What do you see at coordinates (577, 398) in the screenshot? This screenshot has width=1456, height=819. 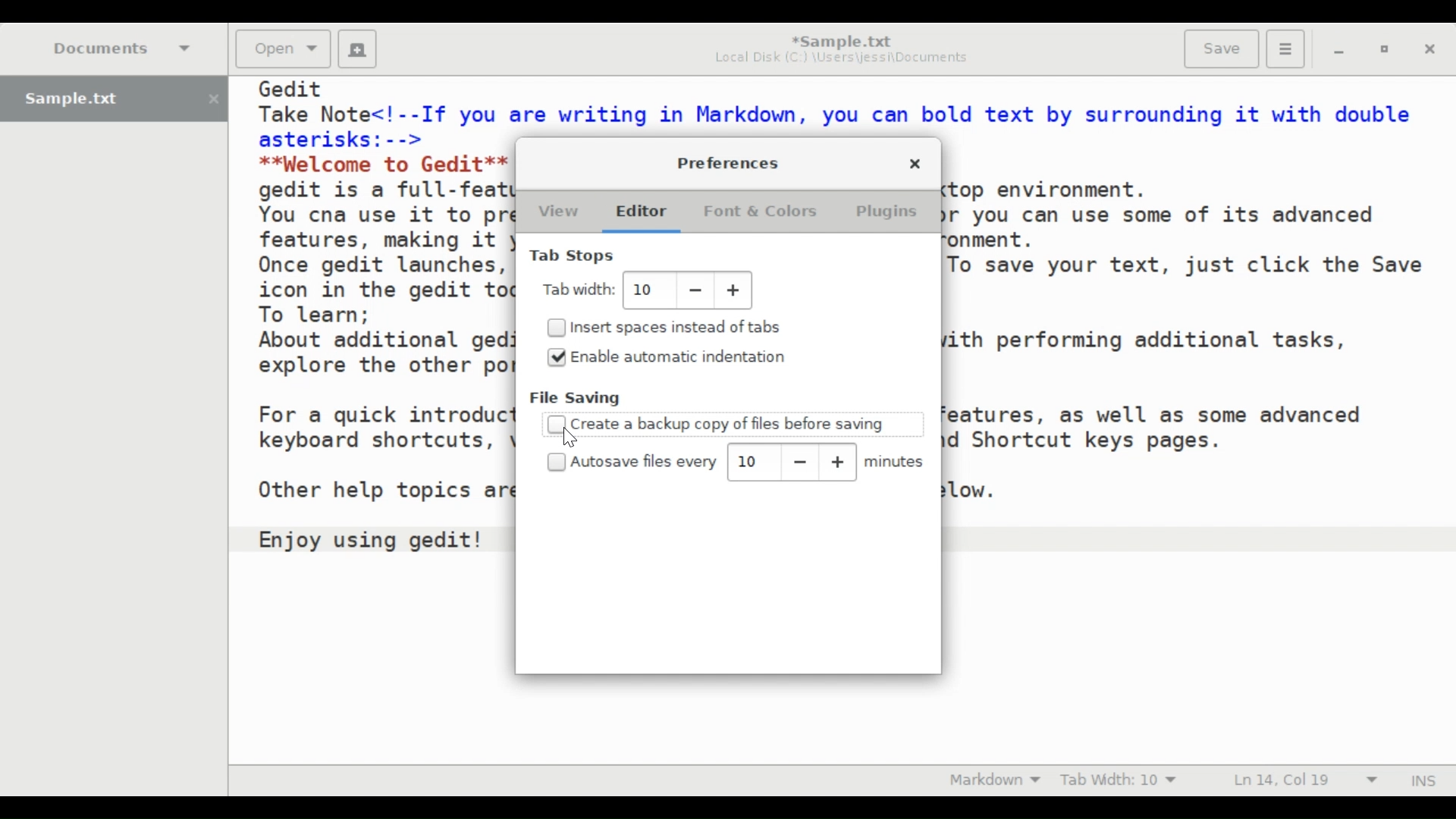 I see `File Saving` at bounding box center [577, 398].